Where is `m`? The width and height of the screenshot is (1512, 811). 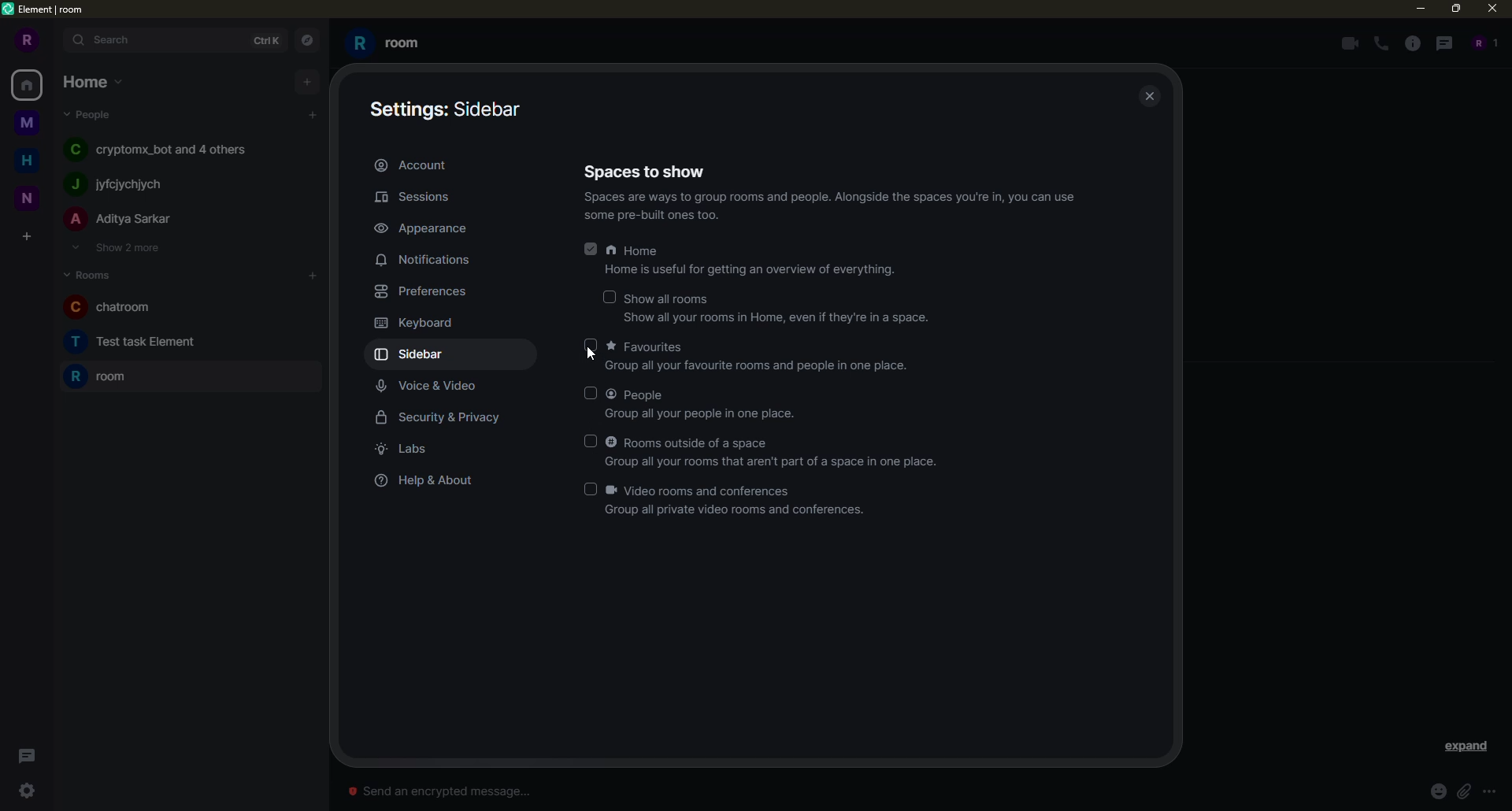
m is located at coordinates (24, 121).